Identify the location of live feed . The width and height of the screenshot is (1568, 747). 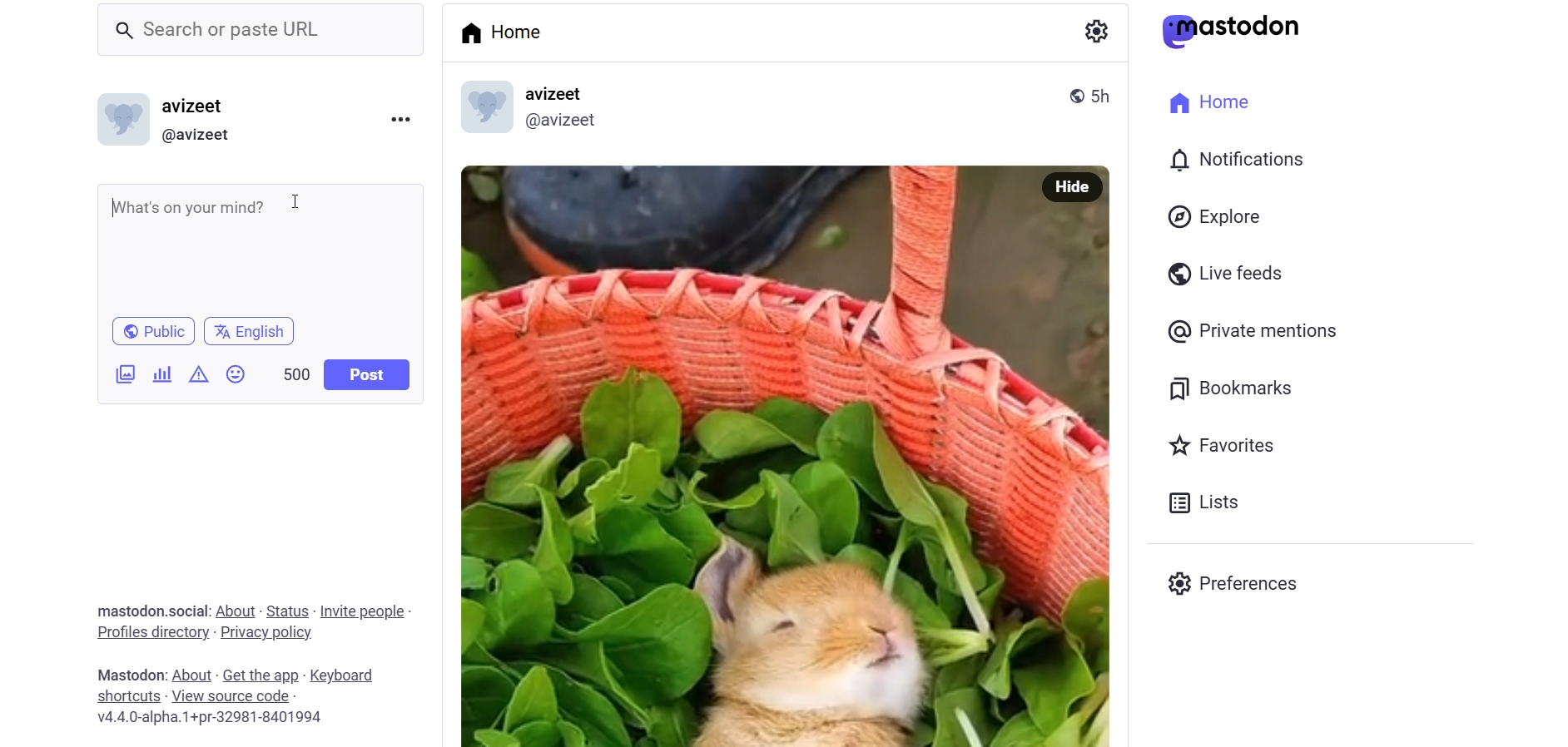
(1223, 276).